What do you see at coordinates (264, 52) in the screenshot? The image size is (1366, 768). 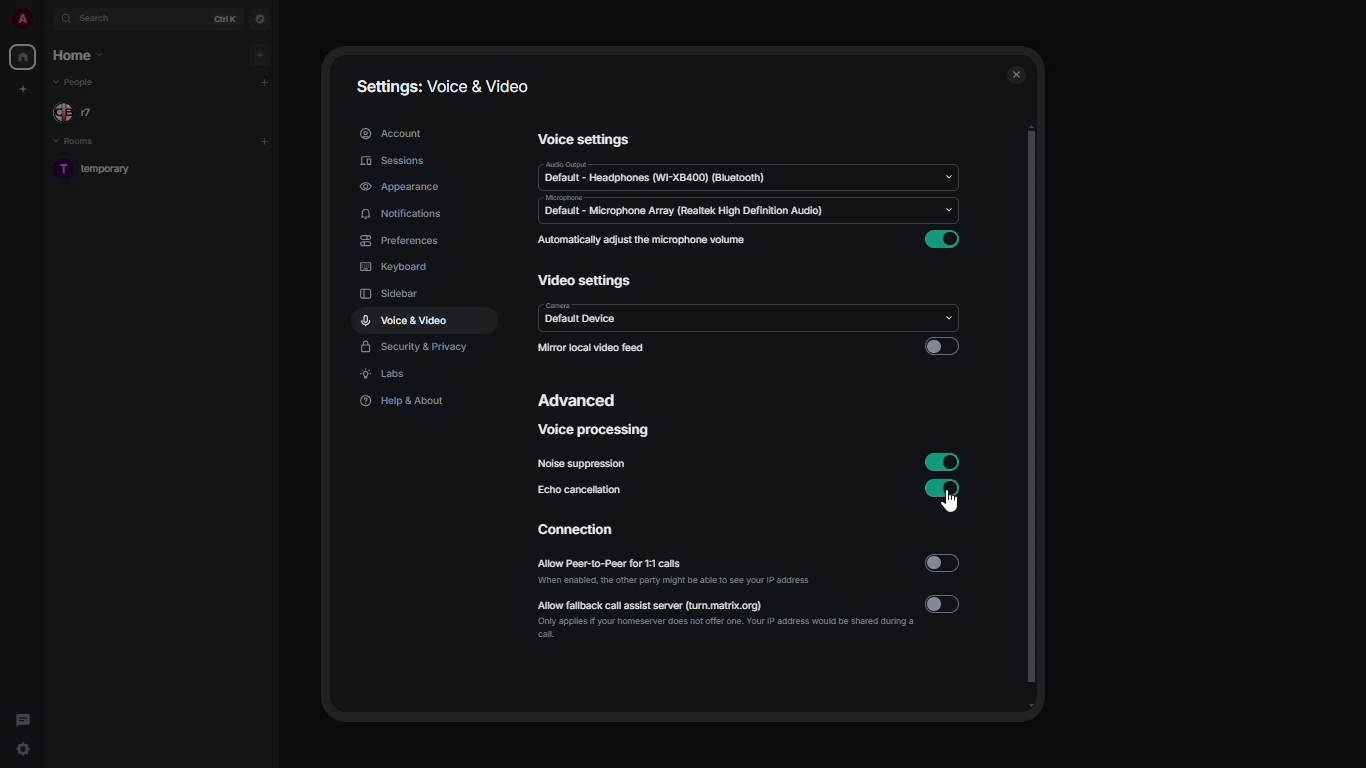 I see `add` at bounding box center [264, 52].